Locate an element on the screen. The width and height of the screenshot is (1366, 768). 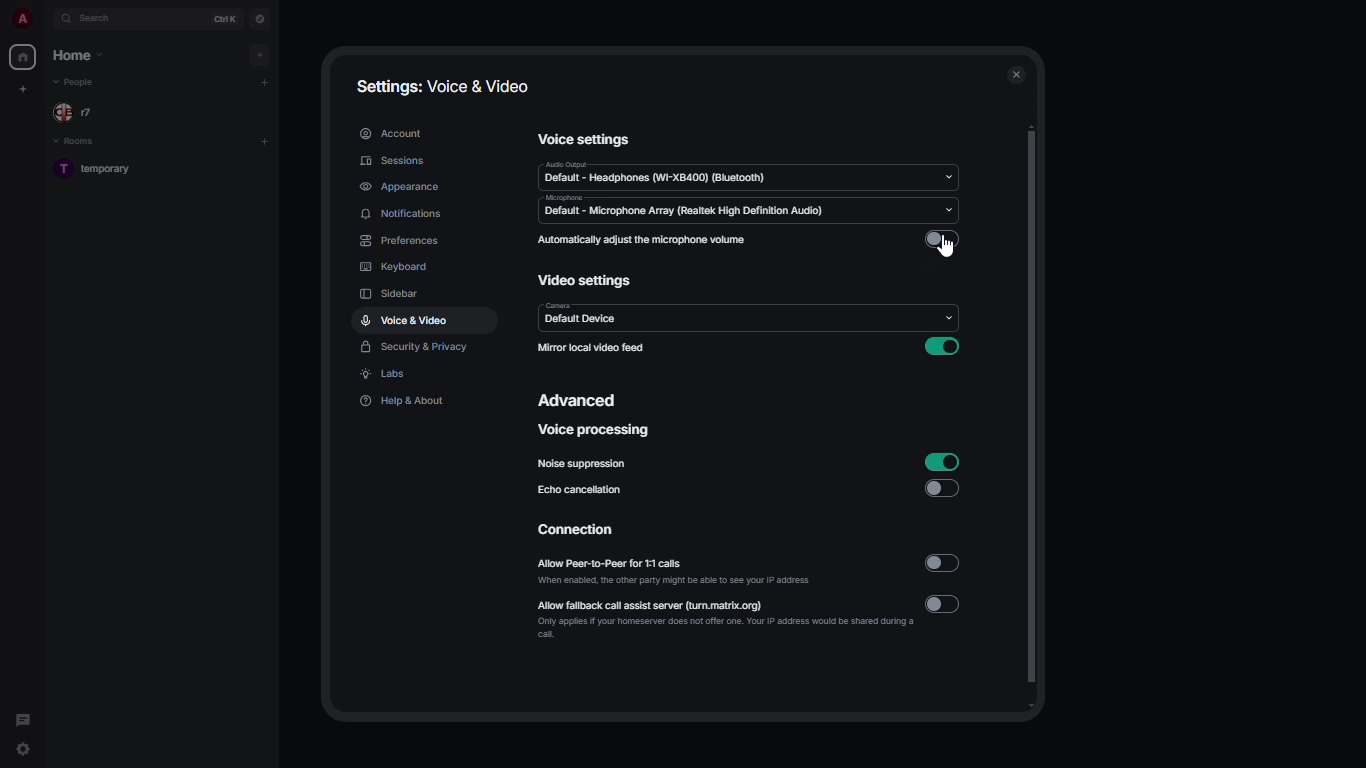
drop down is located at coordinates (947, 317).